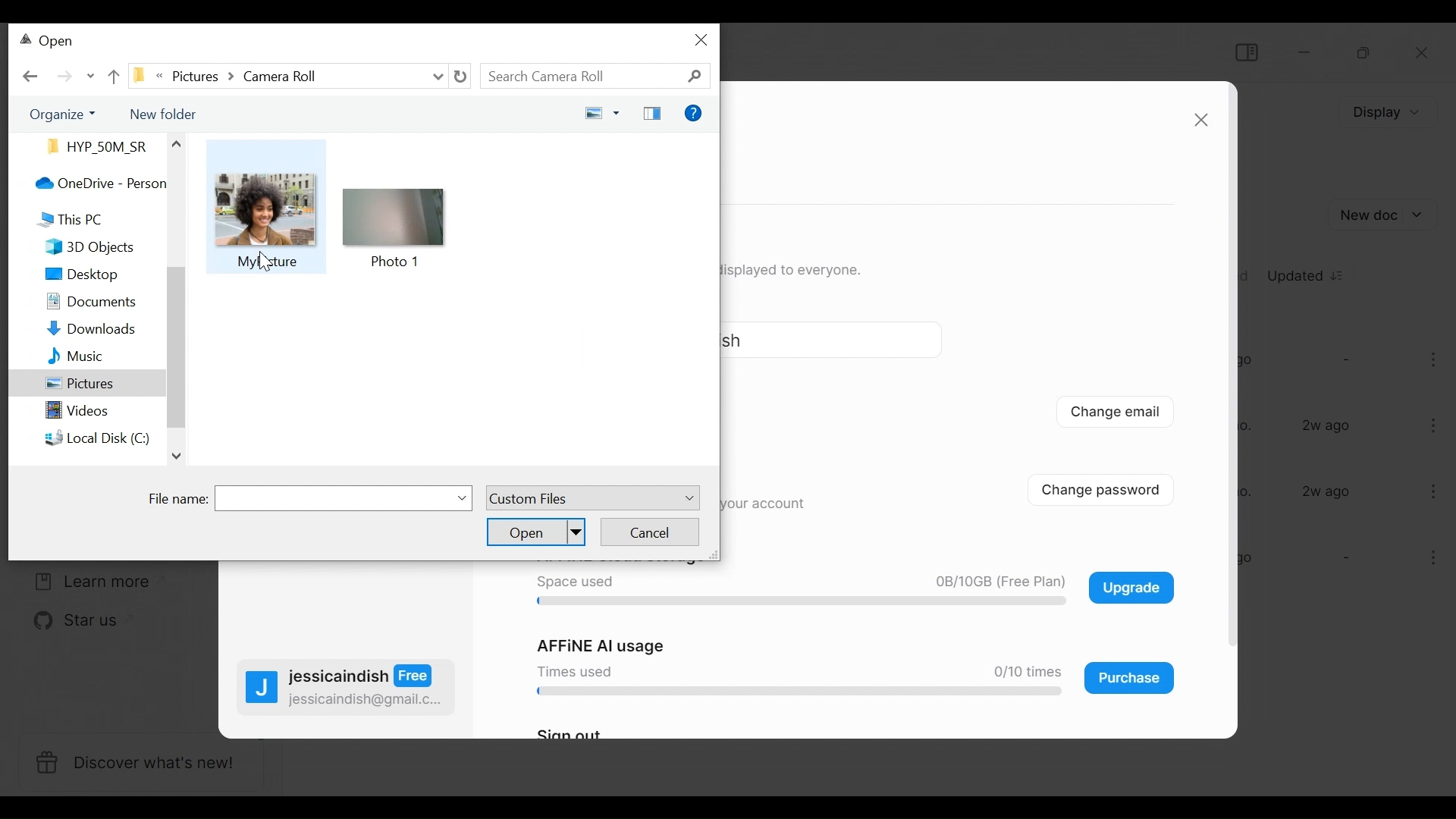 The image size is (1456, 819). Describe the element at coordinates (597, 77) in the screenshot. I see `Search Documents` at that location.